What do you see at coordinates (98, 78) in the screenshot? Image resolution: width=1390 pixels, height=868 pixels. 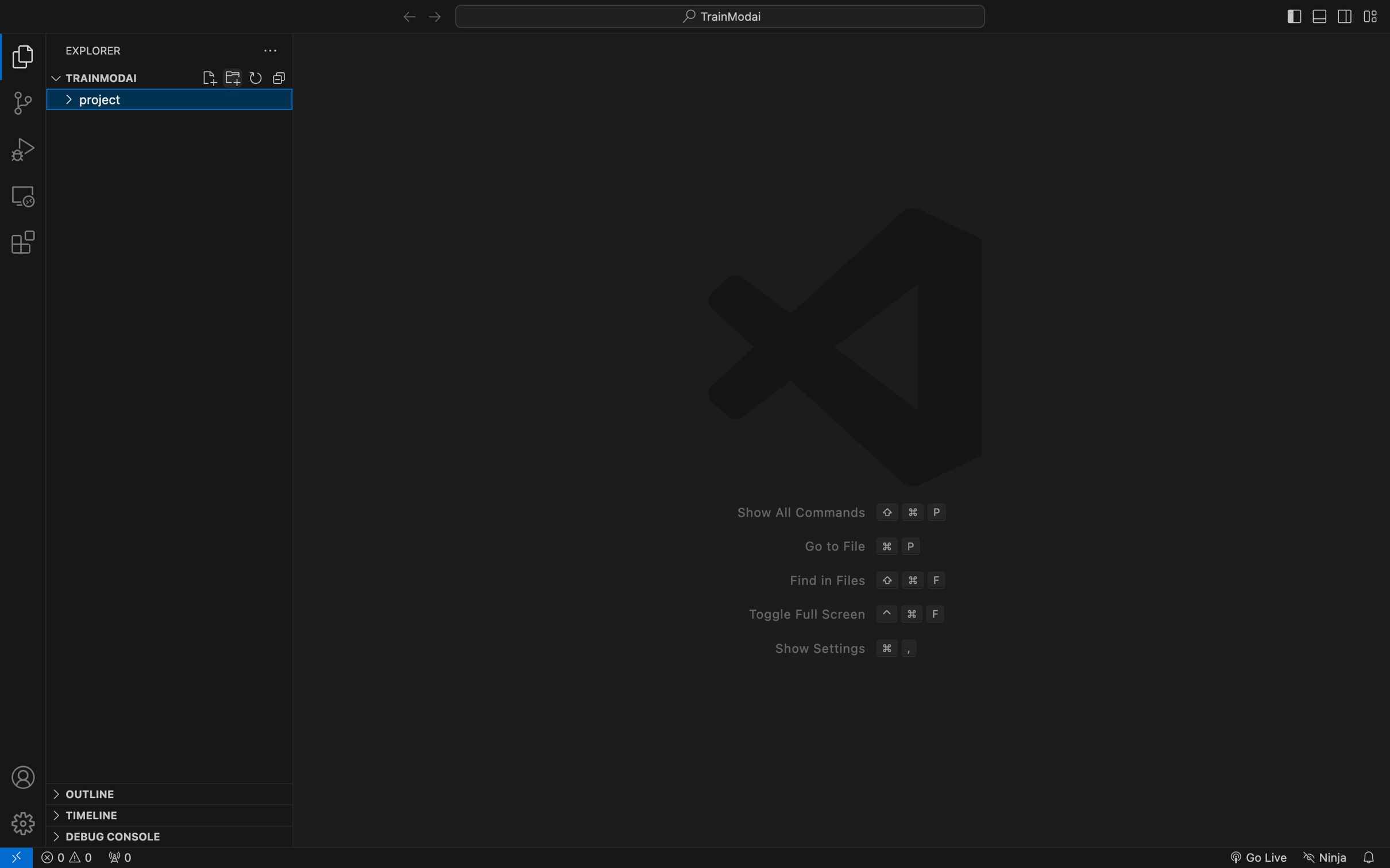 I see `trainmqdi` at bounding box center [98, 78].